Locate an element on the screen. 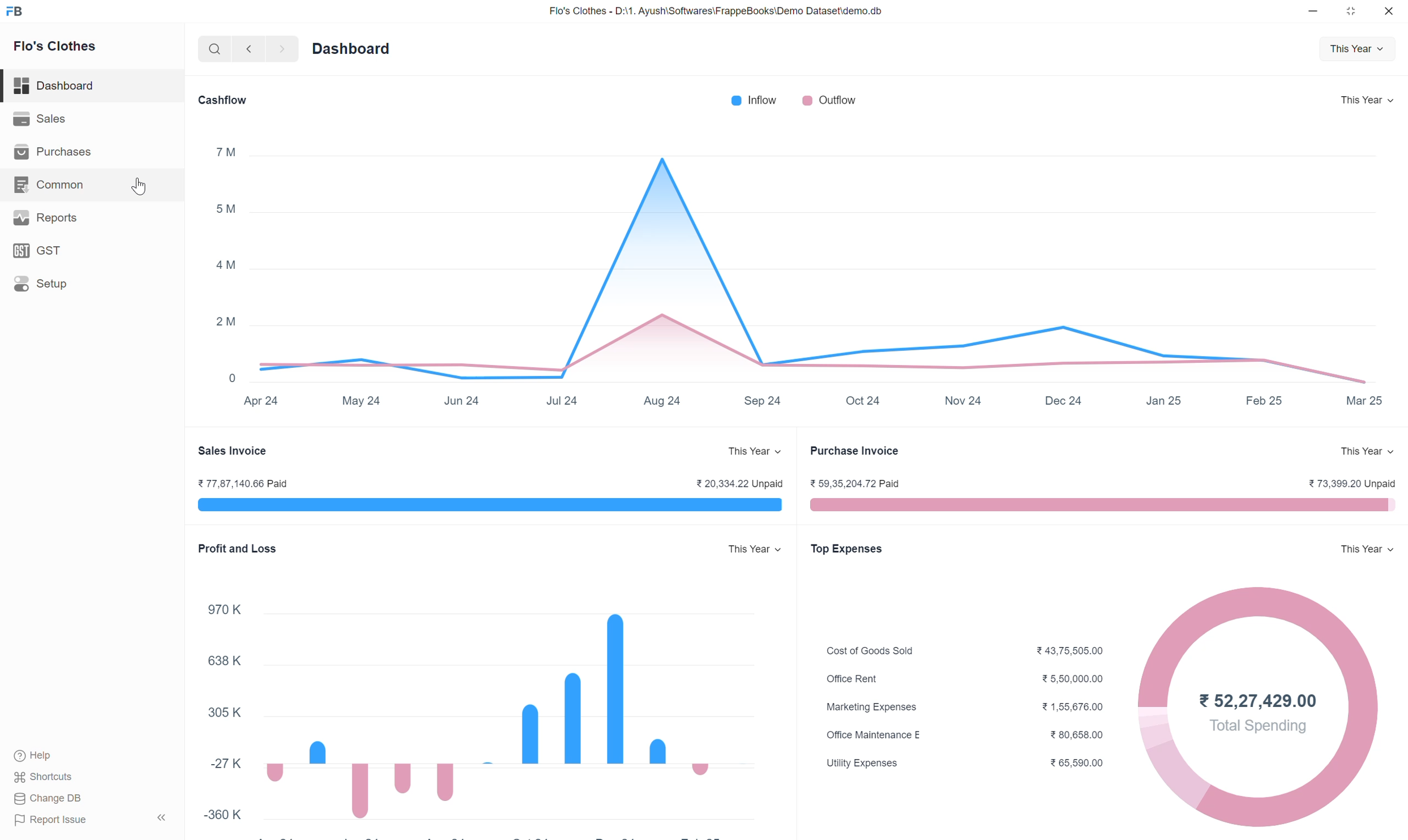 Image resolution: width=1408 pixels, height=840 pixels. this year is located at coordinates (752, 452).